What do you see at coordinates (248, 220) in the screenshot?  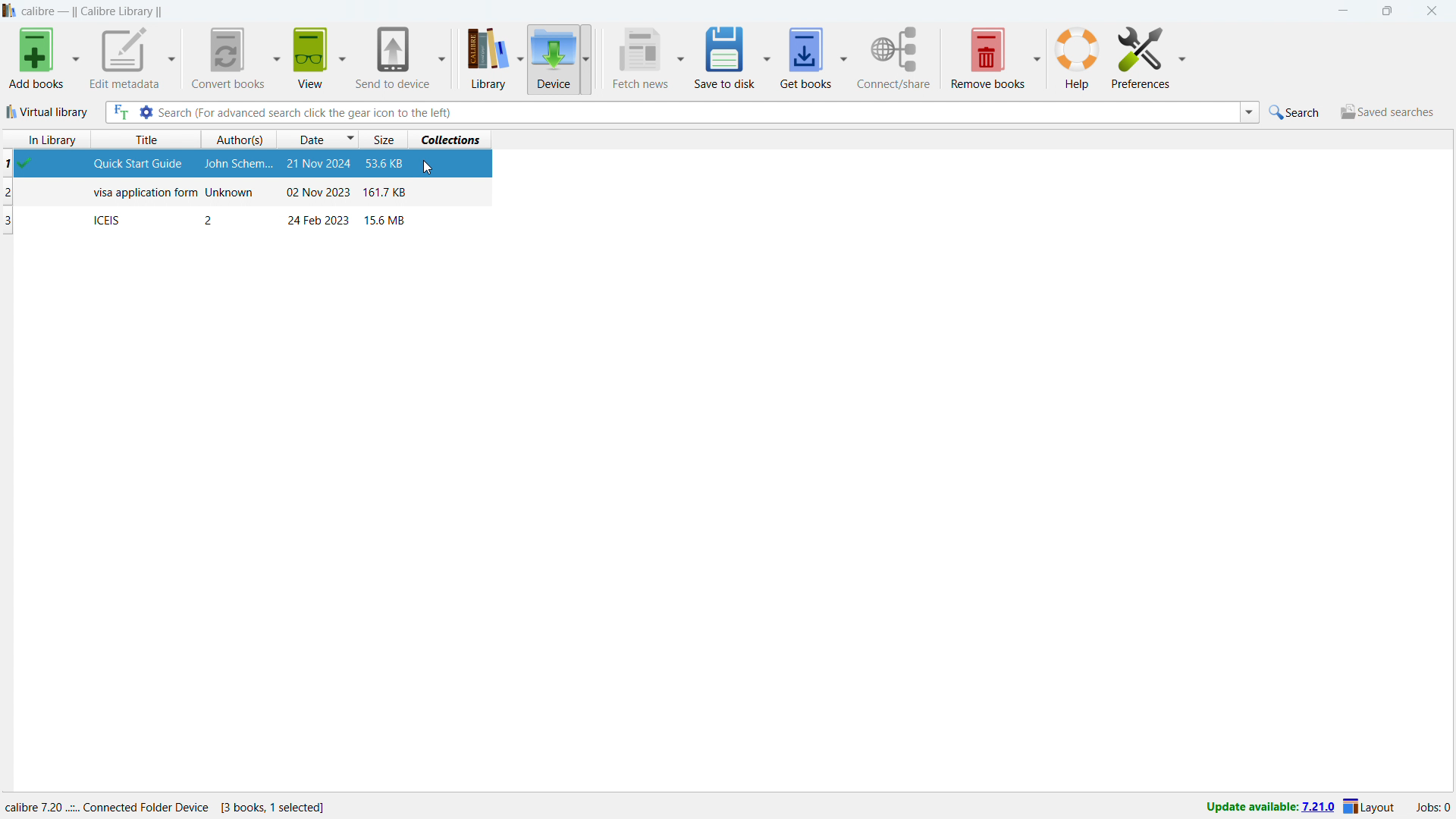 I see `book on device` at bounding box center [248, 220].